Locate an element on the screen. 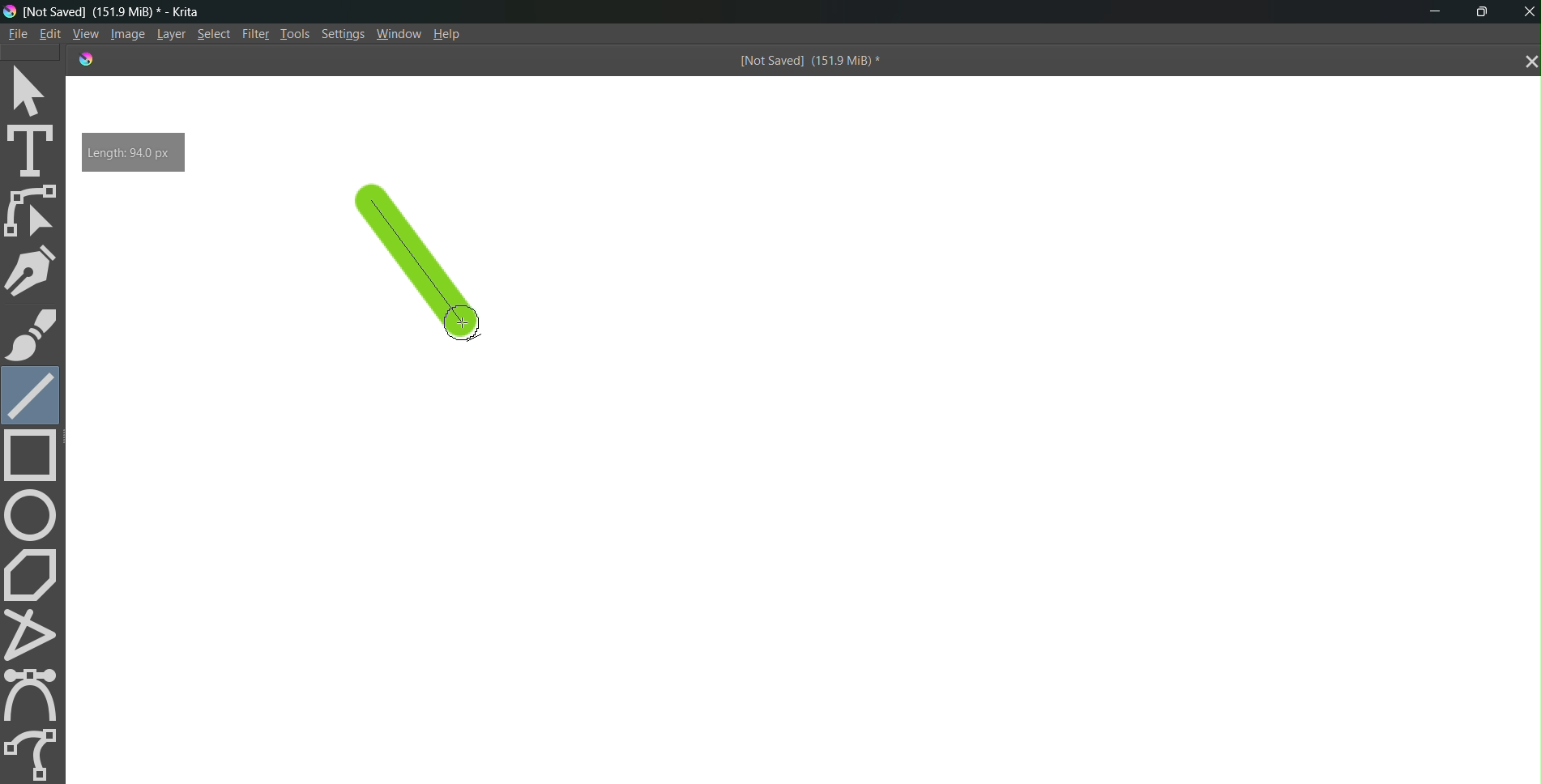  circle is located at coordinates (32, 514).